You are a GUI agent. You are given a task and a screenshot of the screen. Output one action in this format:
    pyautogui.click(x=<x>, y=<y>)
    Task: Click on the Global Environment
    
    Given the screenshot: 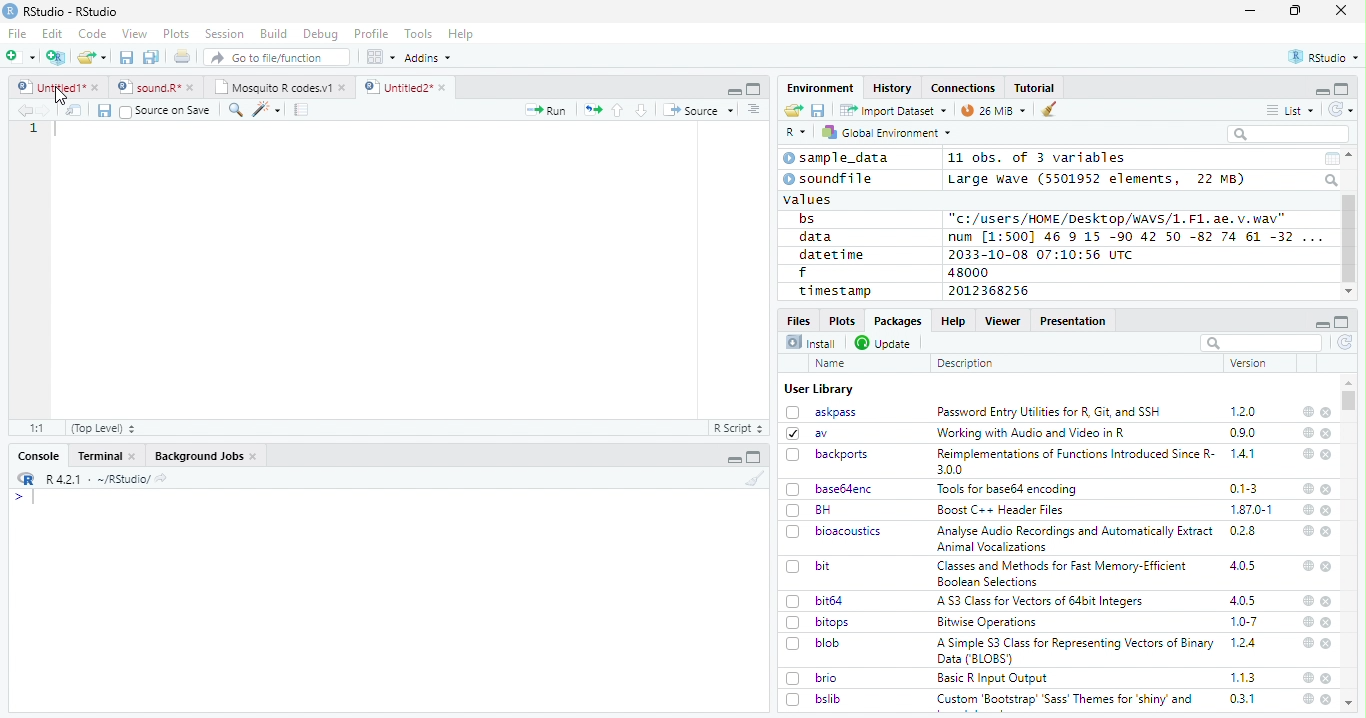 What is the action you would take?
    pyautogui.click(x=888, y=131)
    